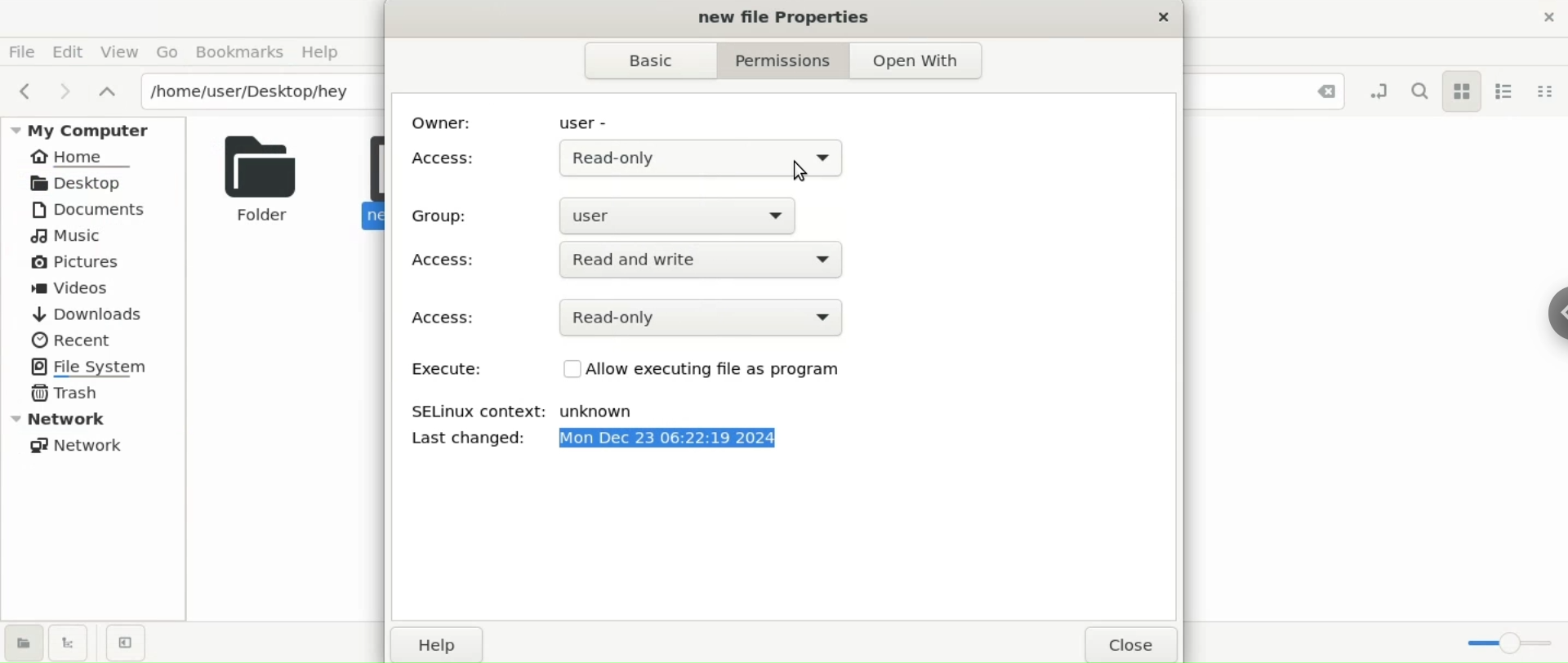 The width and height of the screenshot is (1568, 663). What do you see at coordinates (96, 366) in the screenshot?
I see `File System` at bounding box center [96, 366].